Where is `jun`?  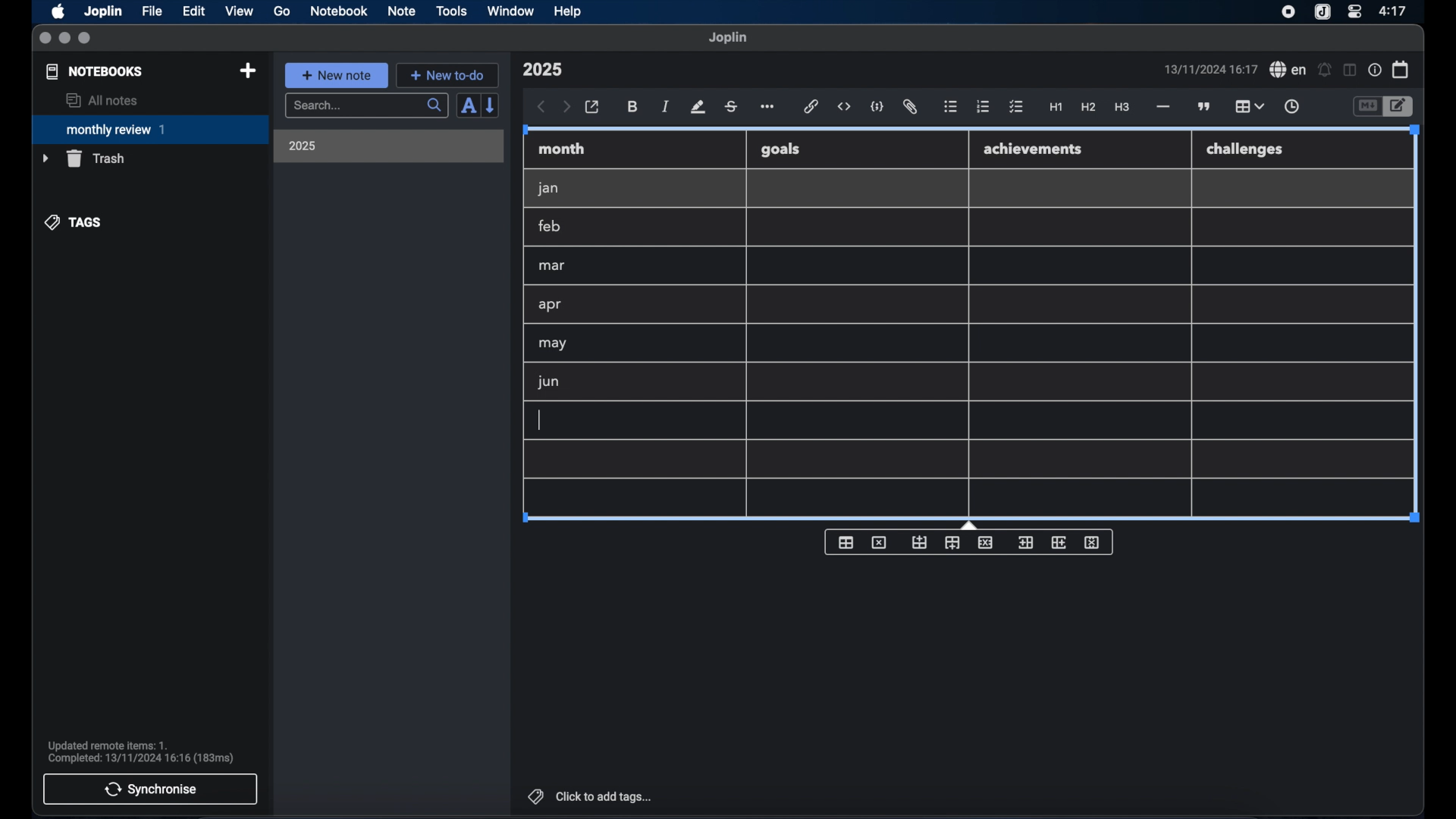 jun is located at coordinates (547, 381).